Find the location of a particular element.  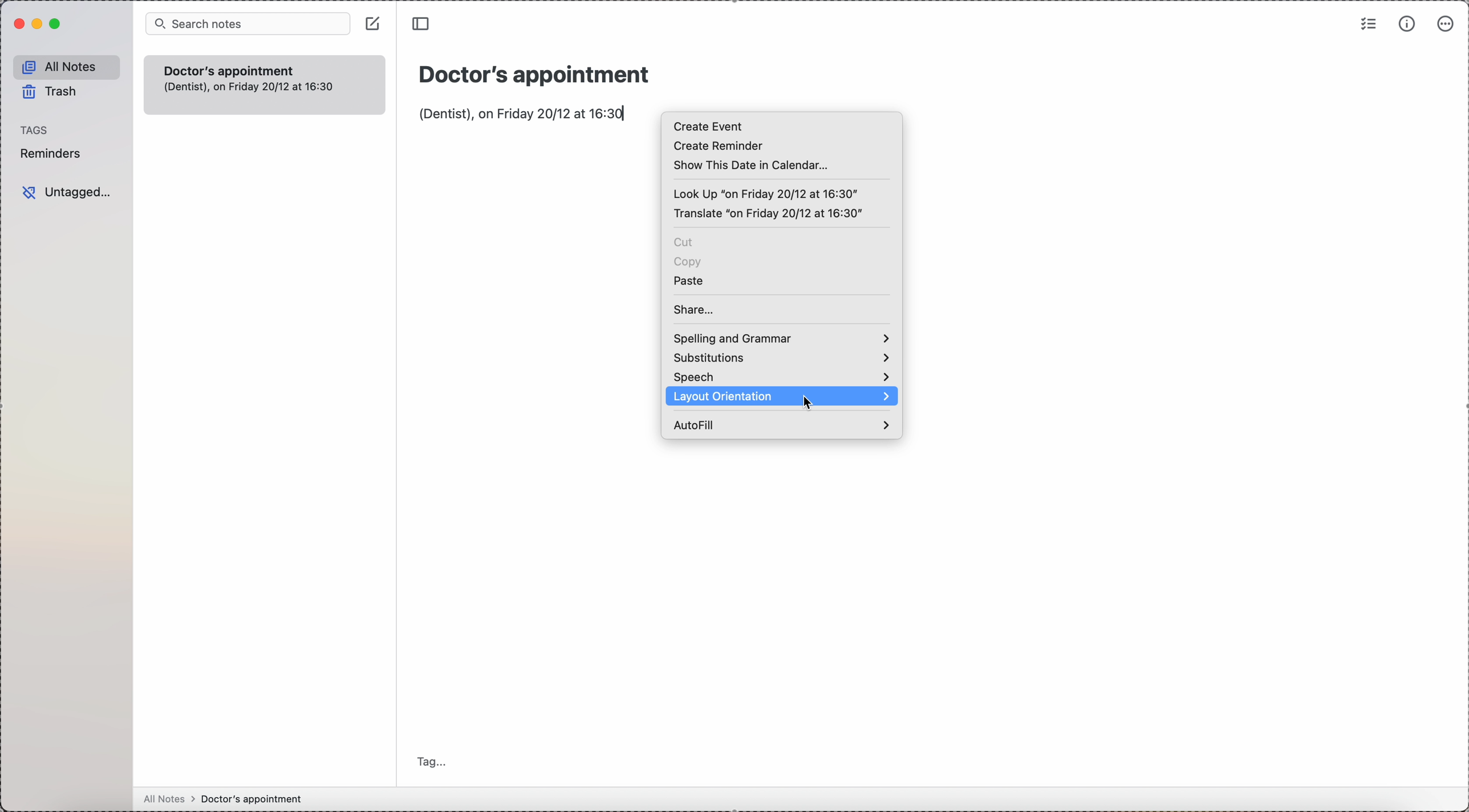

reminders is located at coordinates (54, 153).